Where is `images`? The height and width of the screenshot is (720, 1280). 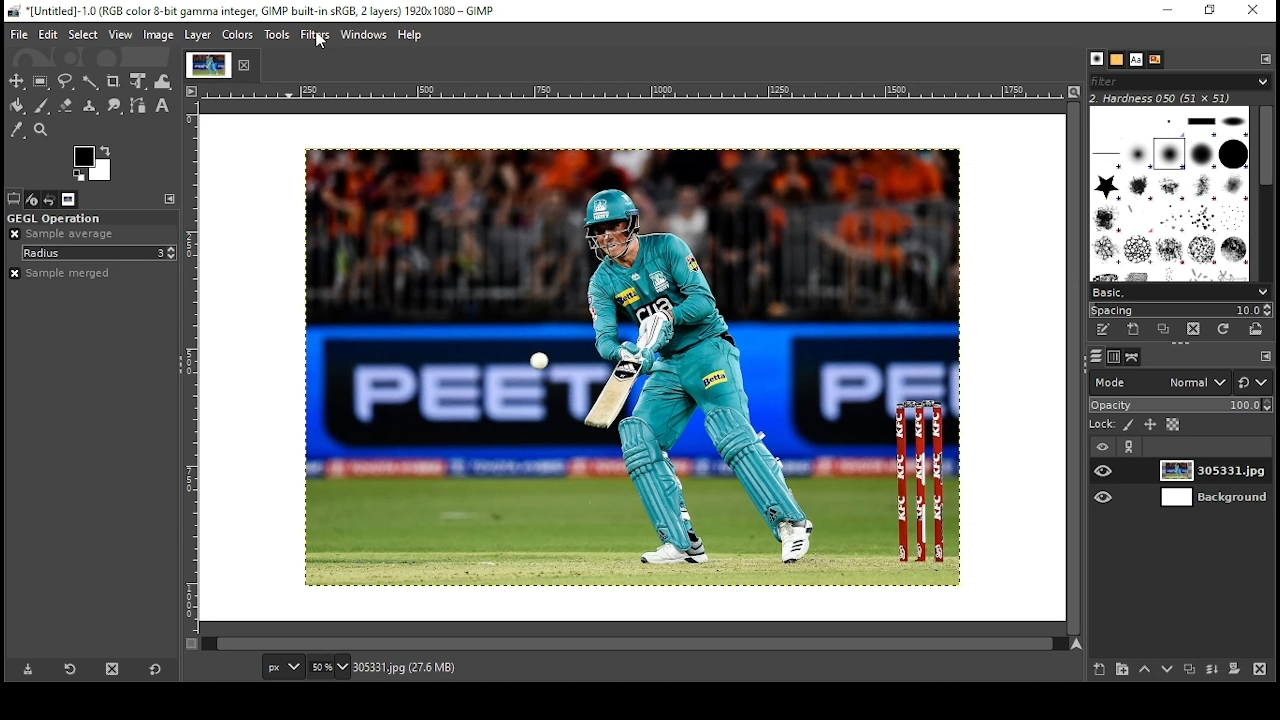
images is located at coordinates (69, 200).